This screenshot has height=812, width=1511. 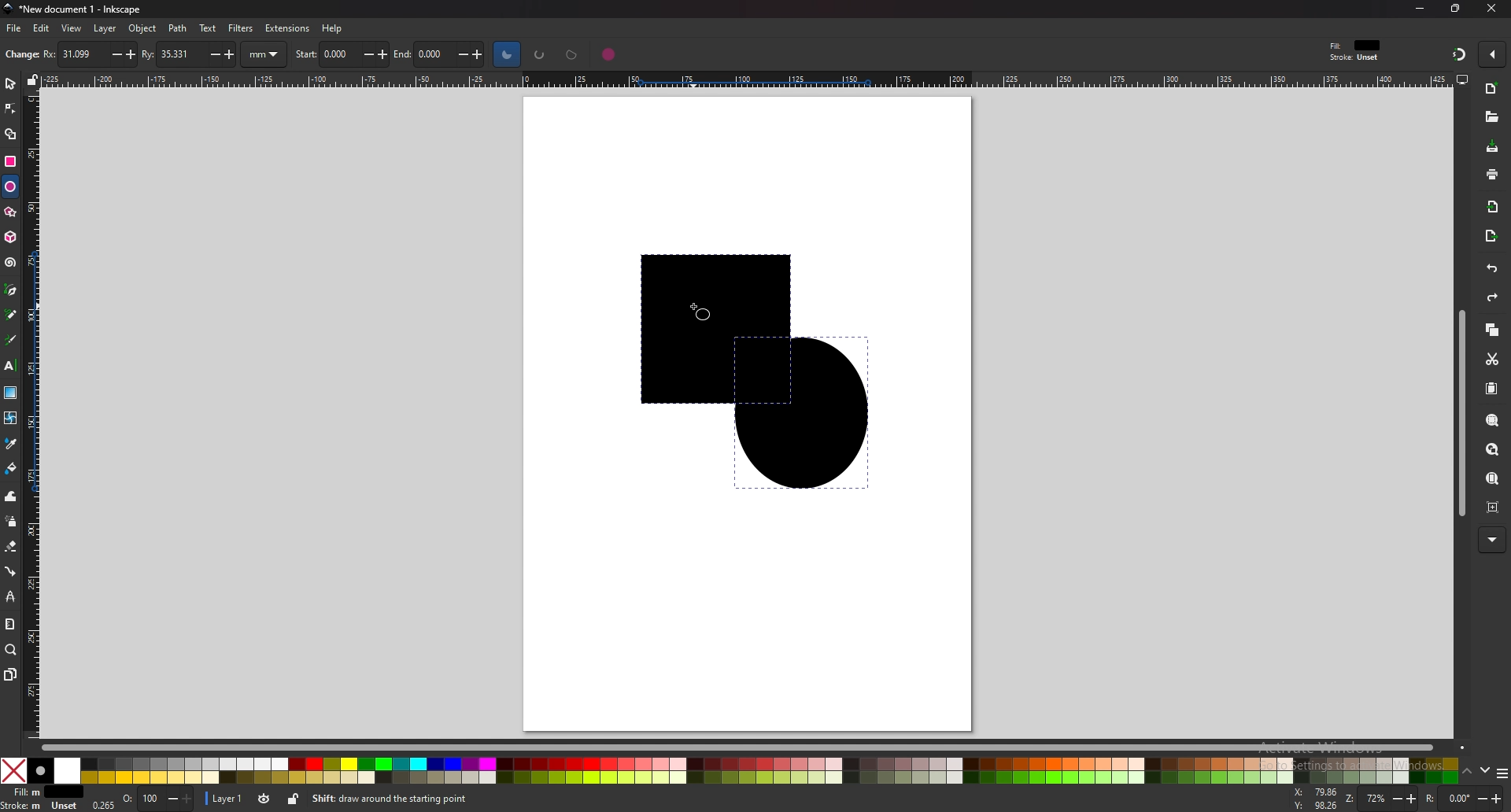 I want to click on edit, so click(x=42, y=29).